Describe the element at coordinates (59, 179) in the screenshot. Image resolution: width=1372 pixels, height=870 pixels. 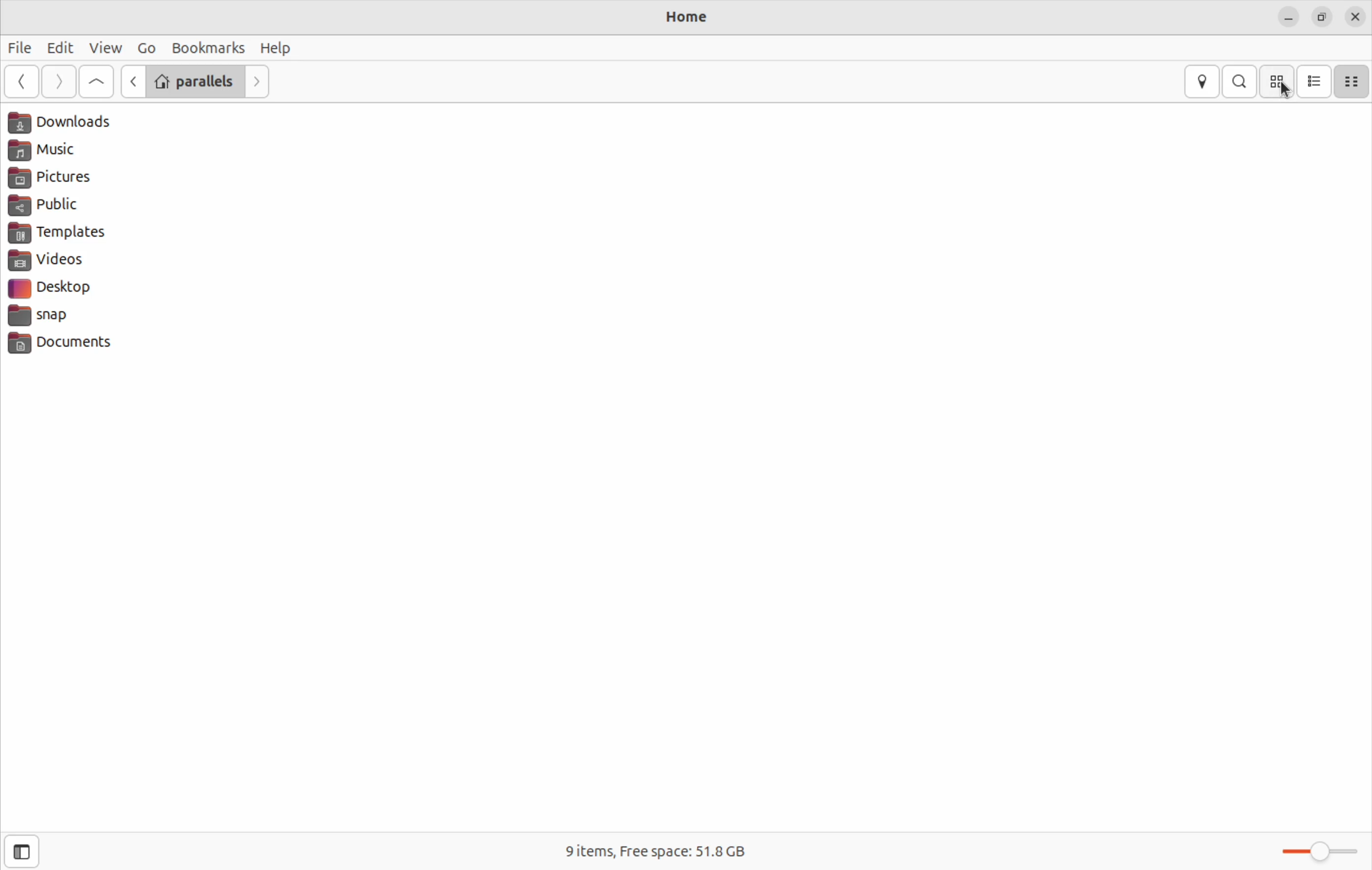
I see `pictures` at that location.